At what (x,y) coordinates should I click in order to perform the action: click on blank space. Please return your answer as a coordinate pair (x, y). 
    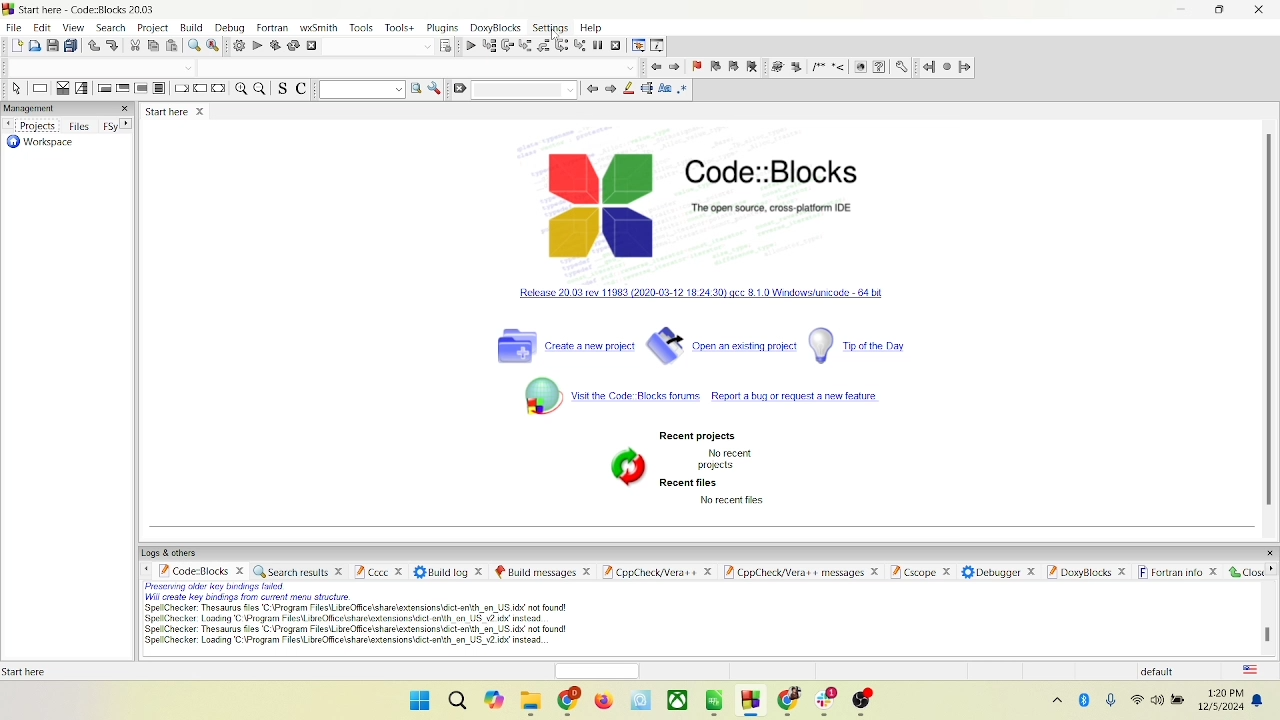
    Looking at the image, I should click on (375, 46).